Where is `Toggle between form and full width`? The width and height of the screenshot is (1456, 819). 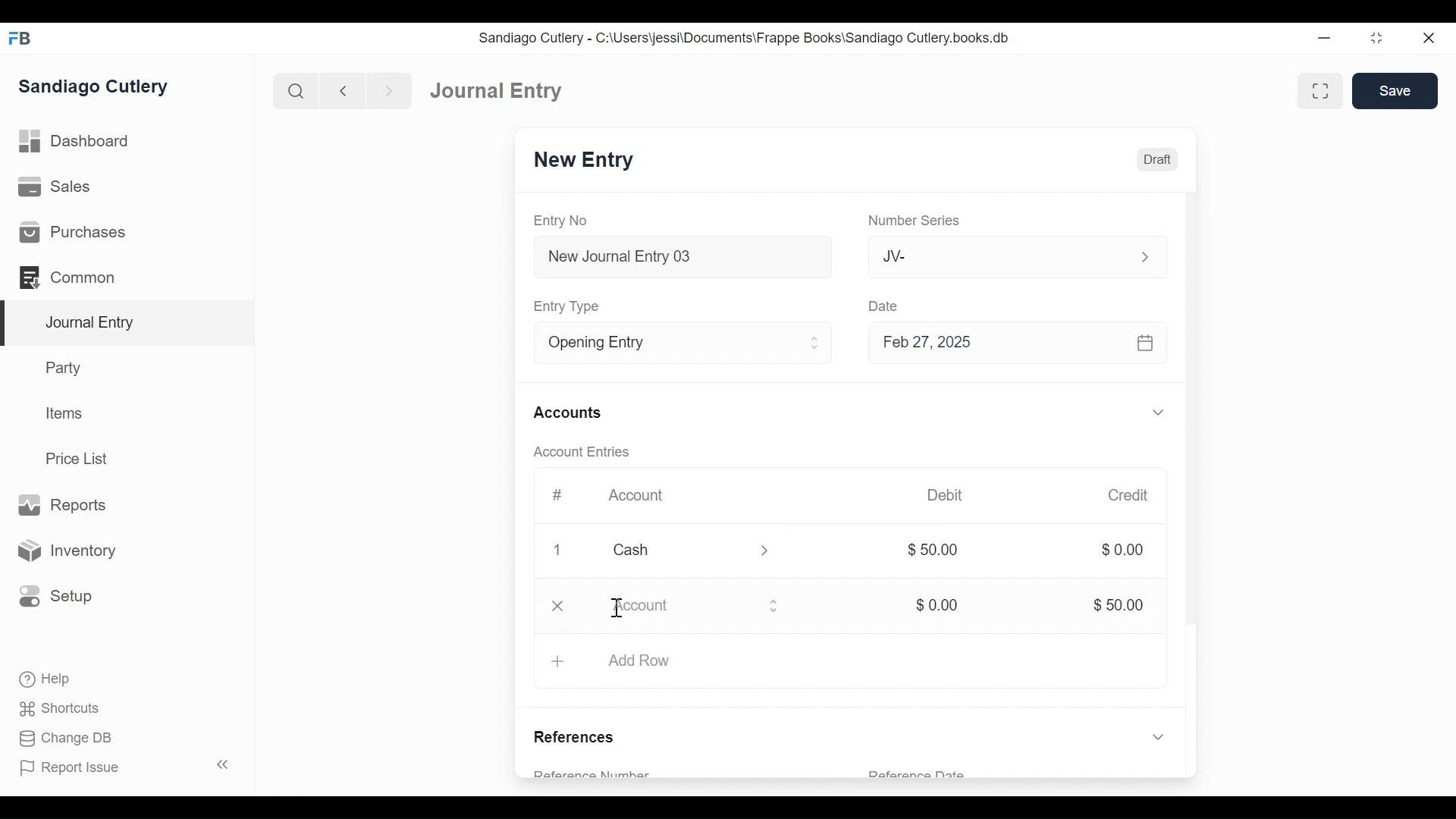
Toggle between form and full width is located at coordinates (1320, 90).